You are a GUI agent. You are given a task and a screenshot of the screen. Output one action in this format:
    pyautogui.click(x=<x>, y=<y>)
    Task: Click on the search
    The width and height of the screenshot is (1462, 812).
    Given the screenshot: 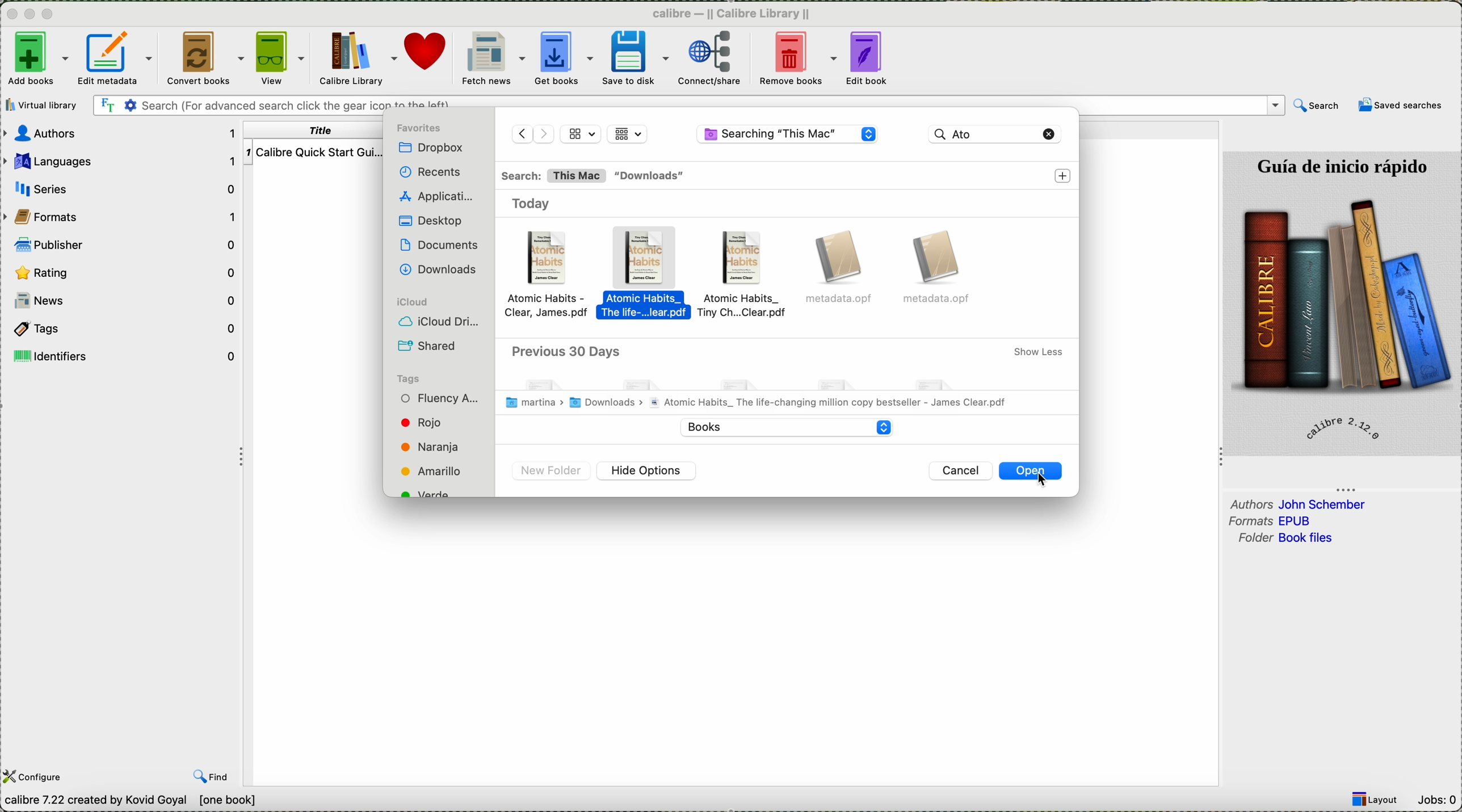 What is the action you would take?
    pyautogui.click(x=1317, y=106)
    